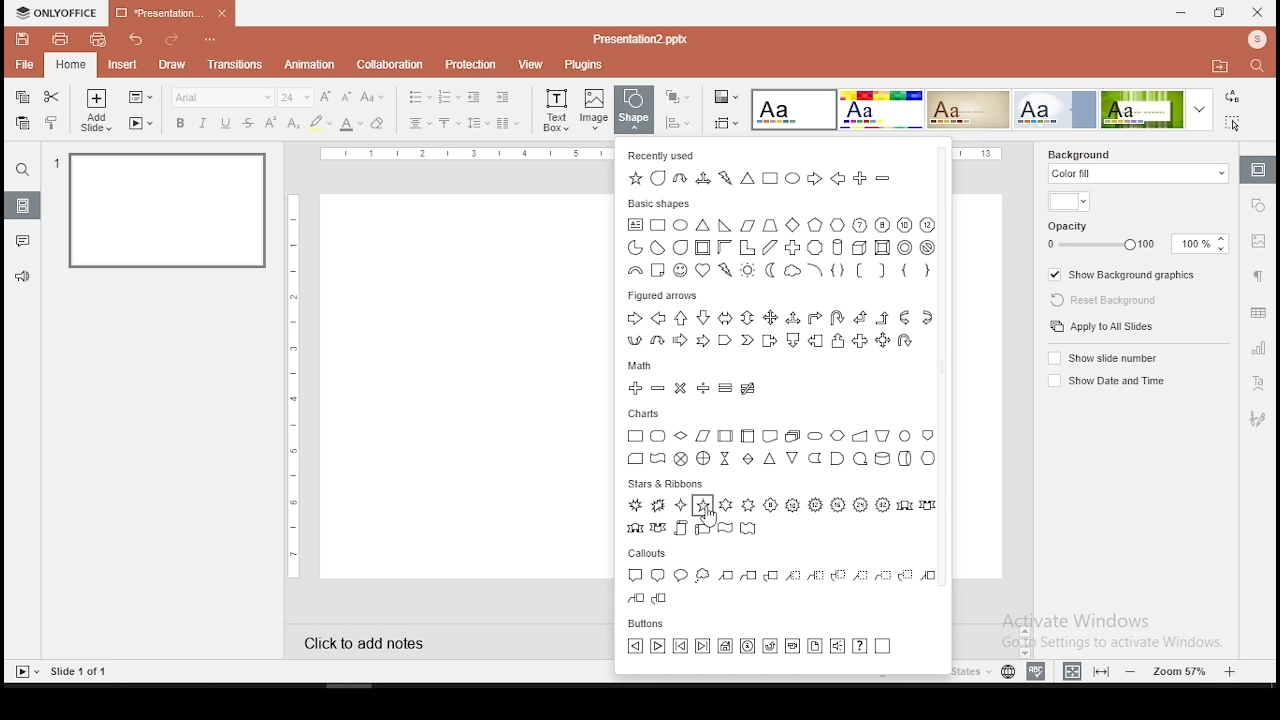 The height and width of the screenshot is (720, 1280). Describe the element at coordinates (1039, 669) in the screenshot. I see `spell check` at that location.